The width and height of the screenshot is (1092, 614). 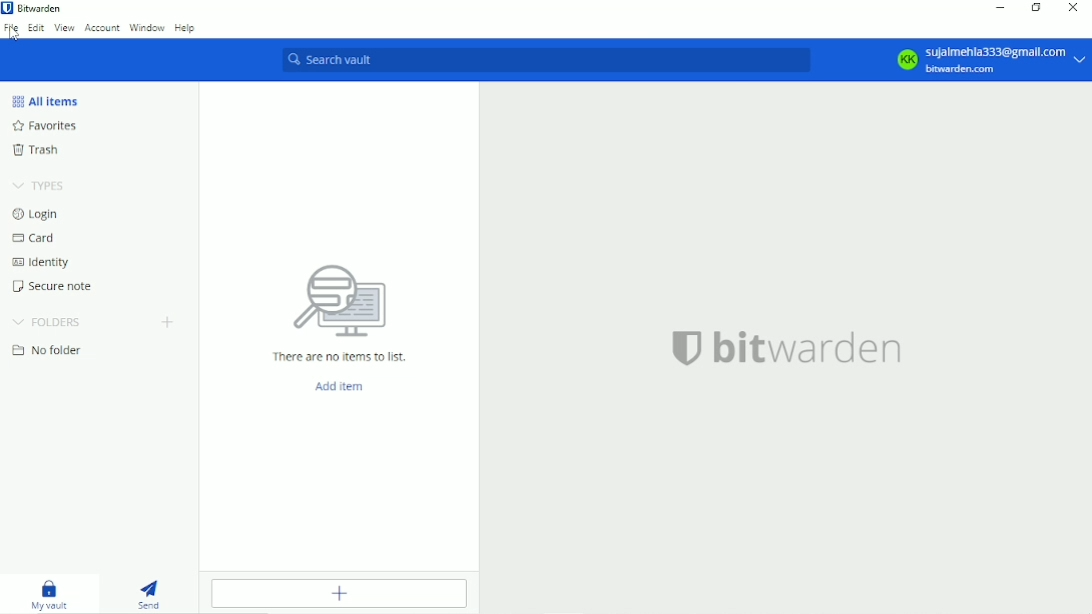 I want to click on Login, so click(x=41, y=215).